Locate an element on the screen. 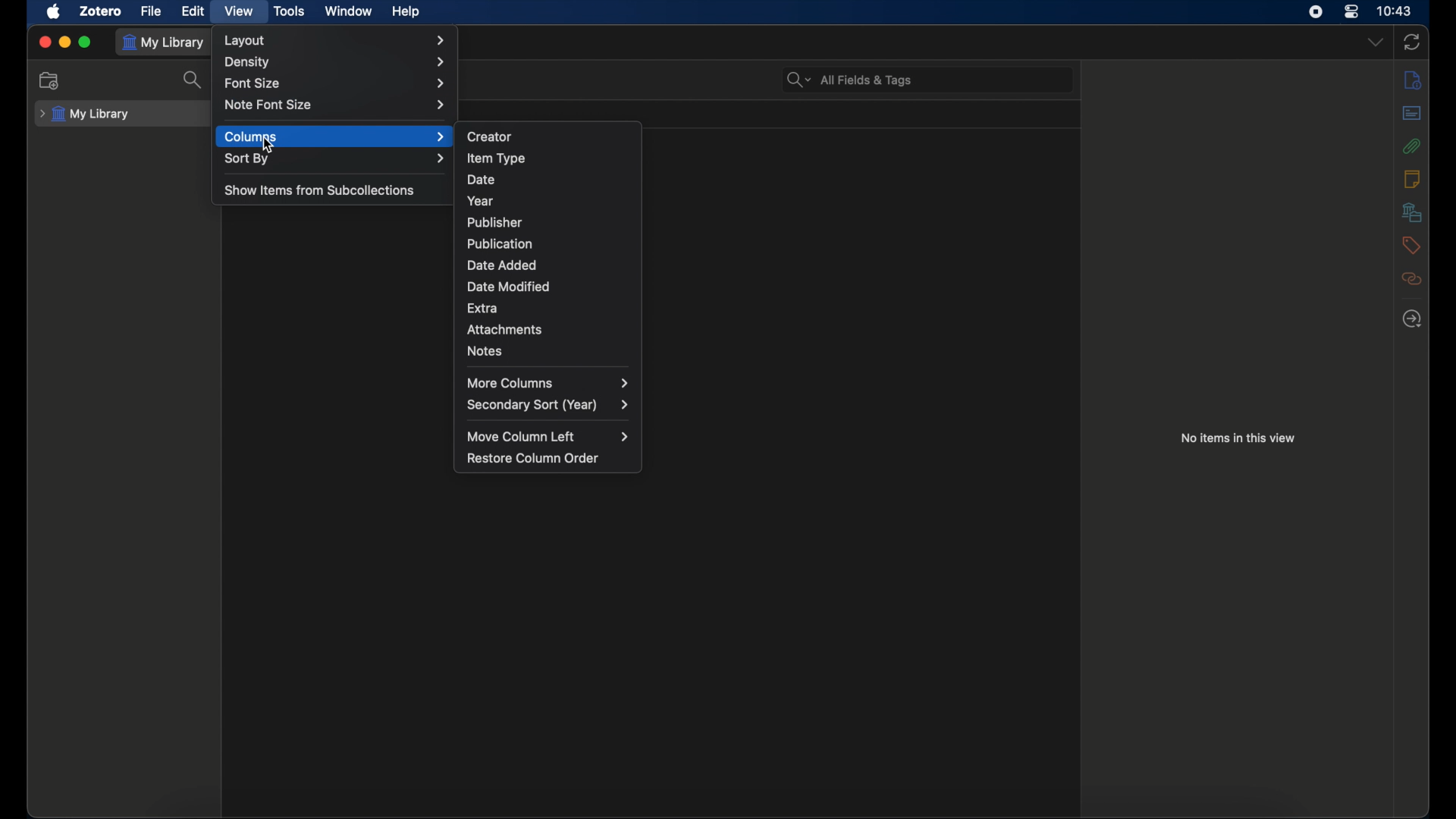  year is located at coordinates (479, 200).